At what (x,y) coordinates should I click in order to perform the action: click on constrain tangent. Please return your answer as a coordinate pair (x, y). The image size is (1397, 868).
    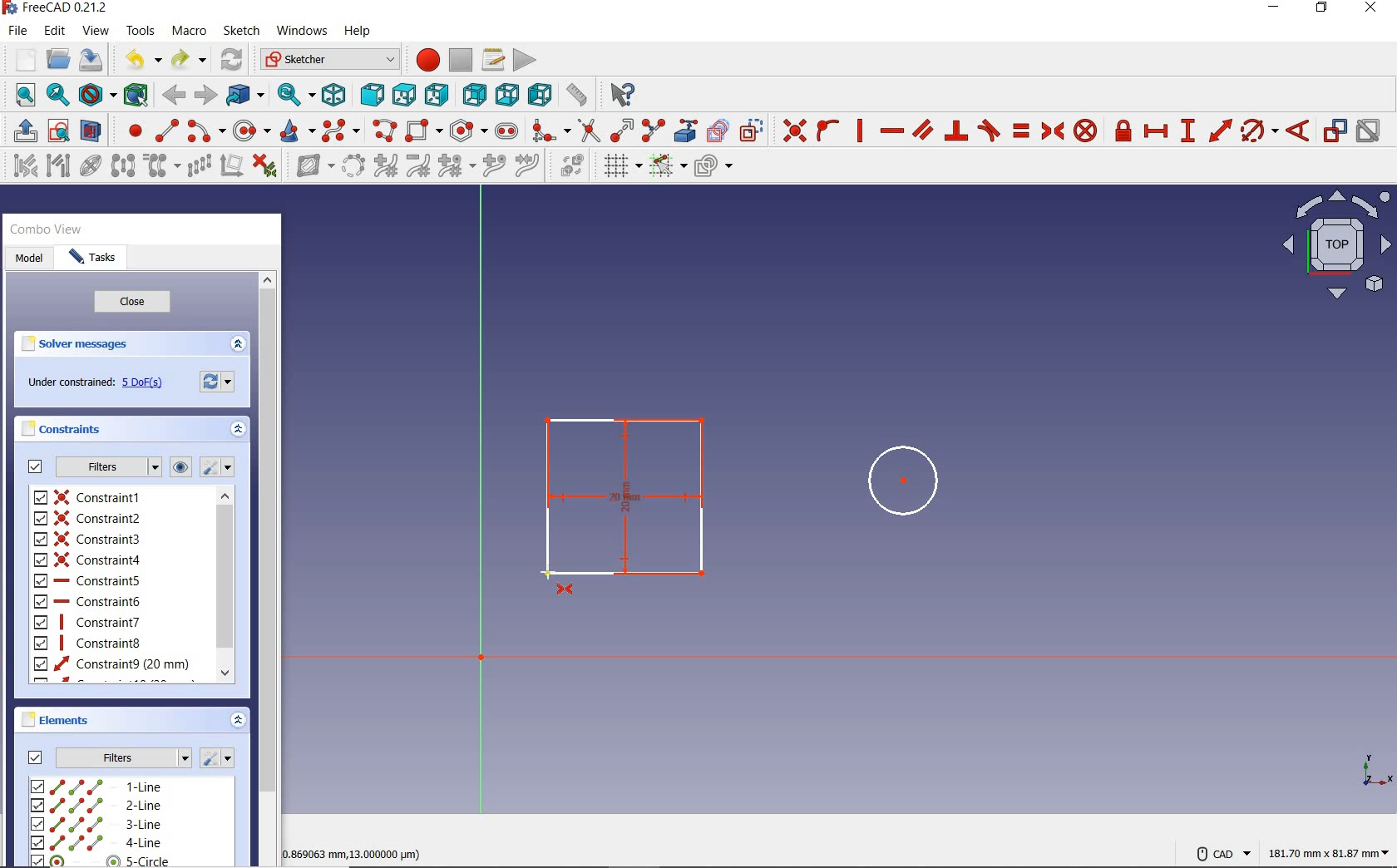
    Looking at the image, I should click on (989, 131).